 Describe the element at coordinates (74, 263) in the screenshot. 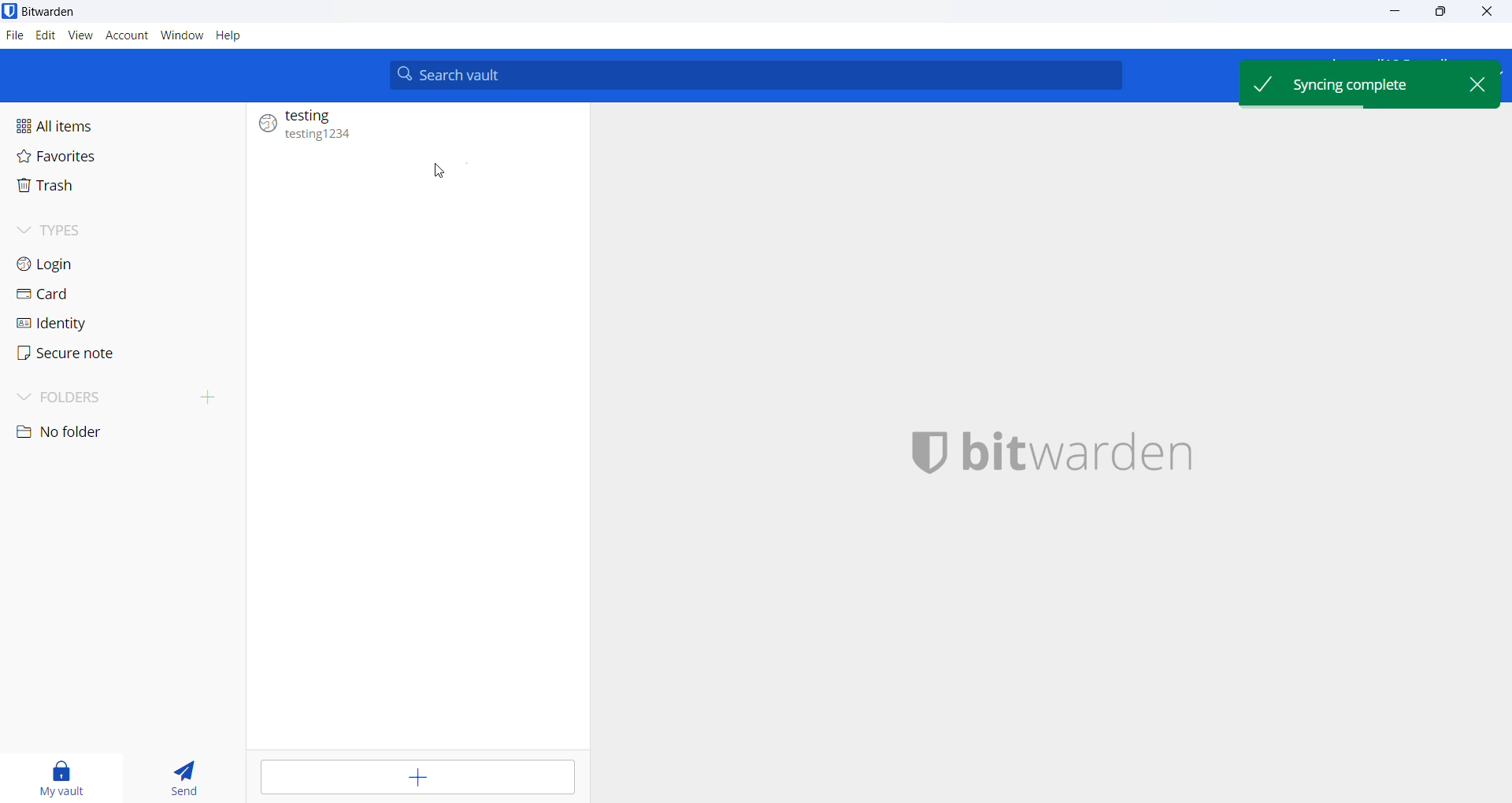

I see `login` at that location.